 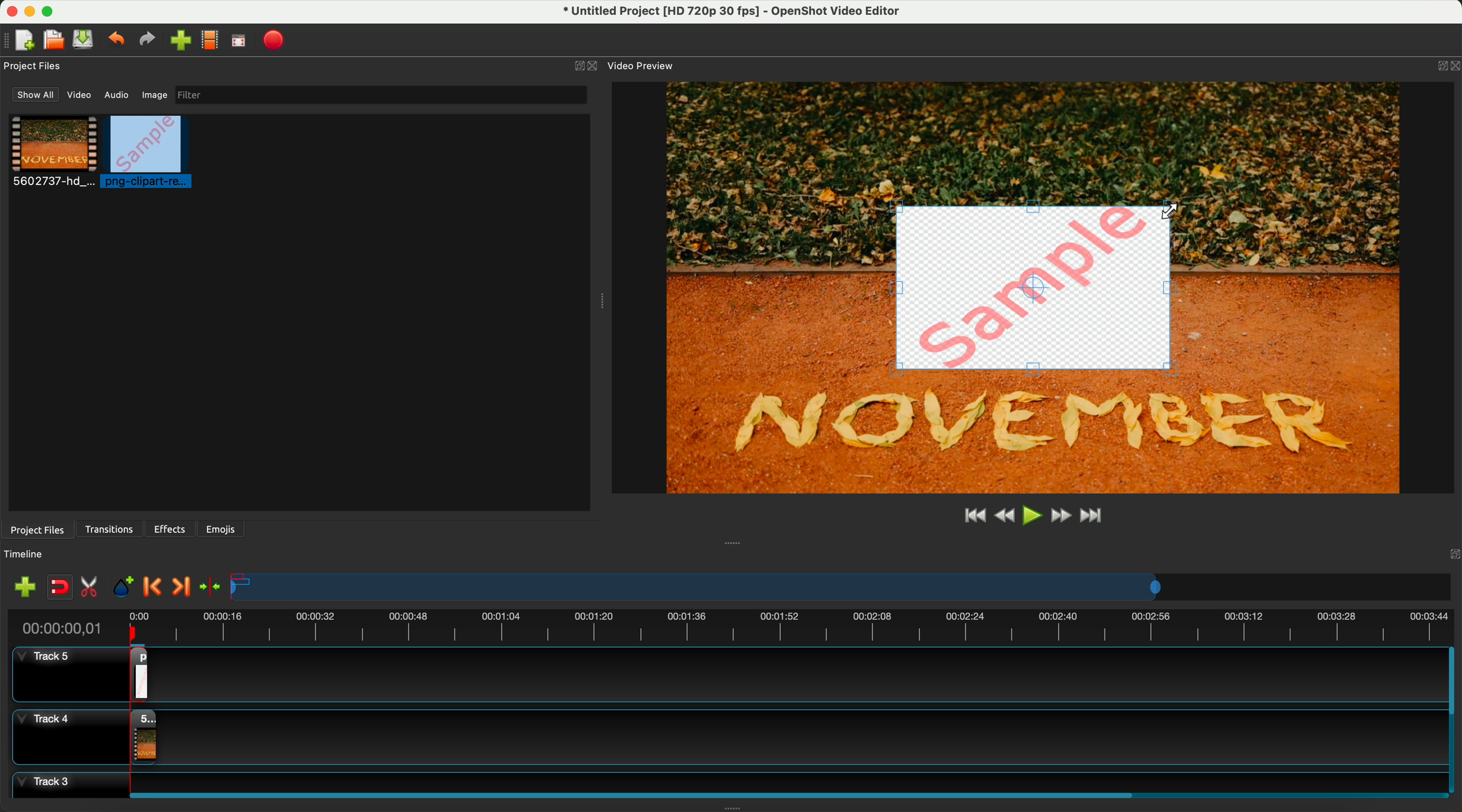 I want to click on scroll bar, so click(x=1453, y=720).